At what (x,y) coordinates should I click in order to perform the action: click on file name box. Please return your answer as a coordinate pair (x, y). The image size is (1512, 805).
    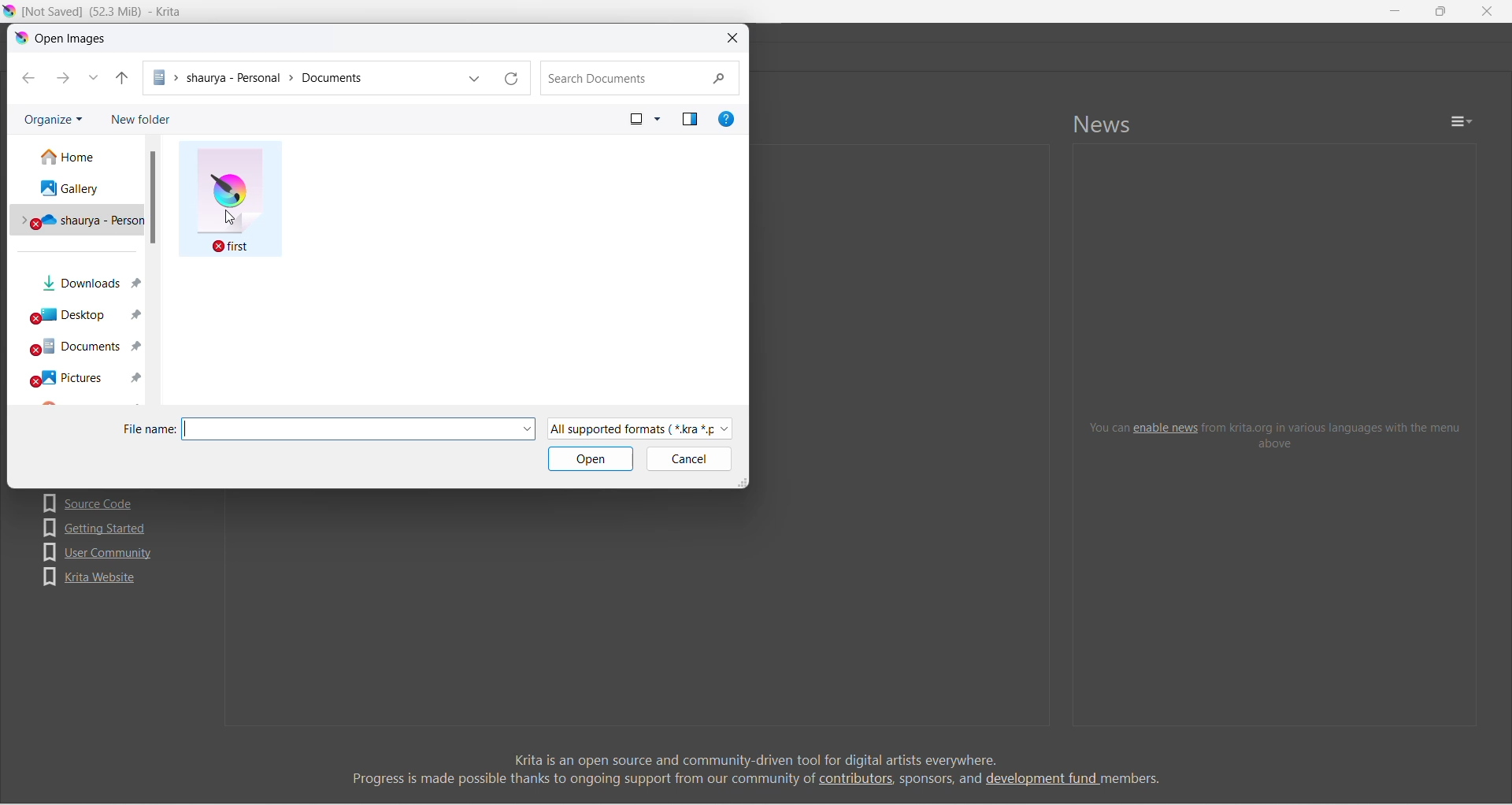
    Looking at the image, I should click on (348, 429).